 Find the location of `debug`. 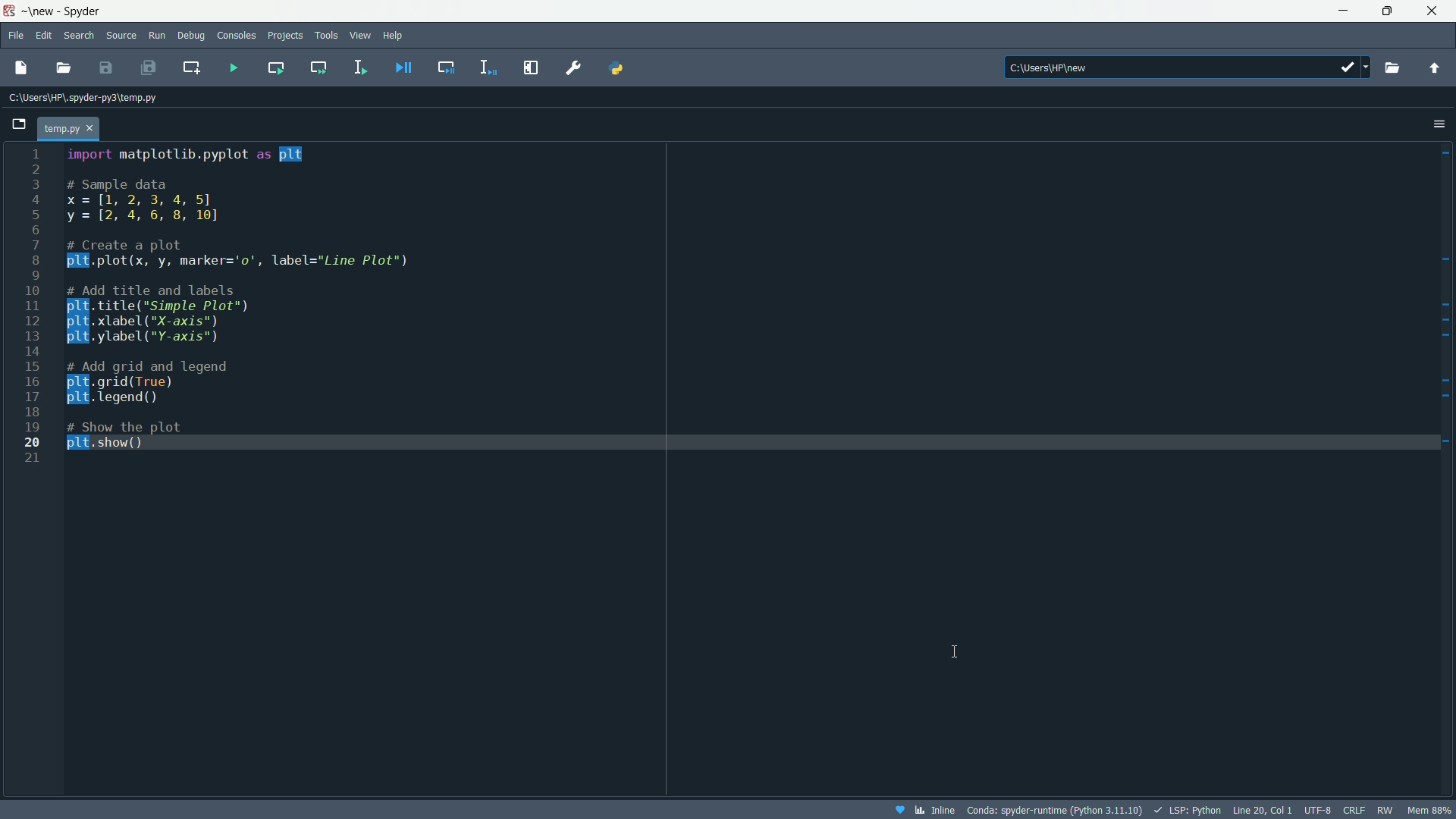

debug is located at coordinates (191, 36).